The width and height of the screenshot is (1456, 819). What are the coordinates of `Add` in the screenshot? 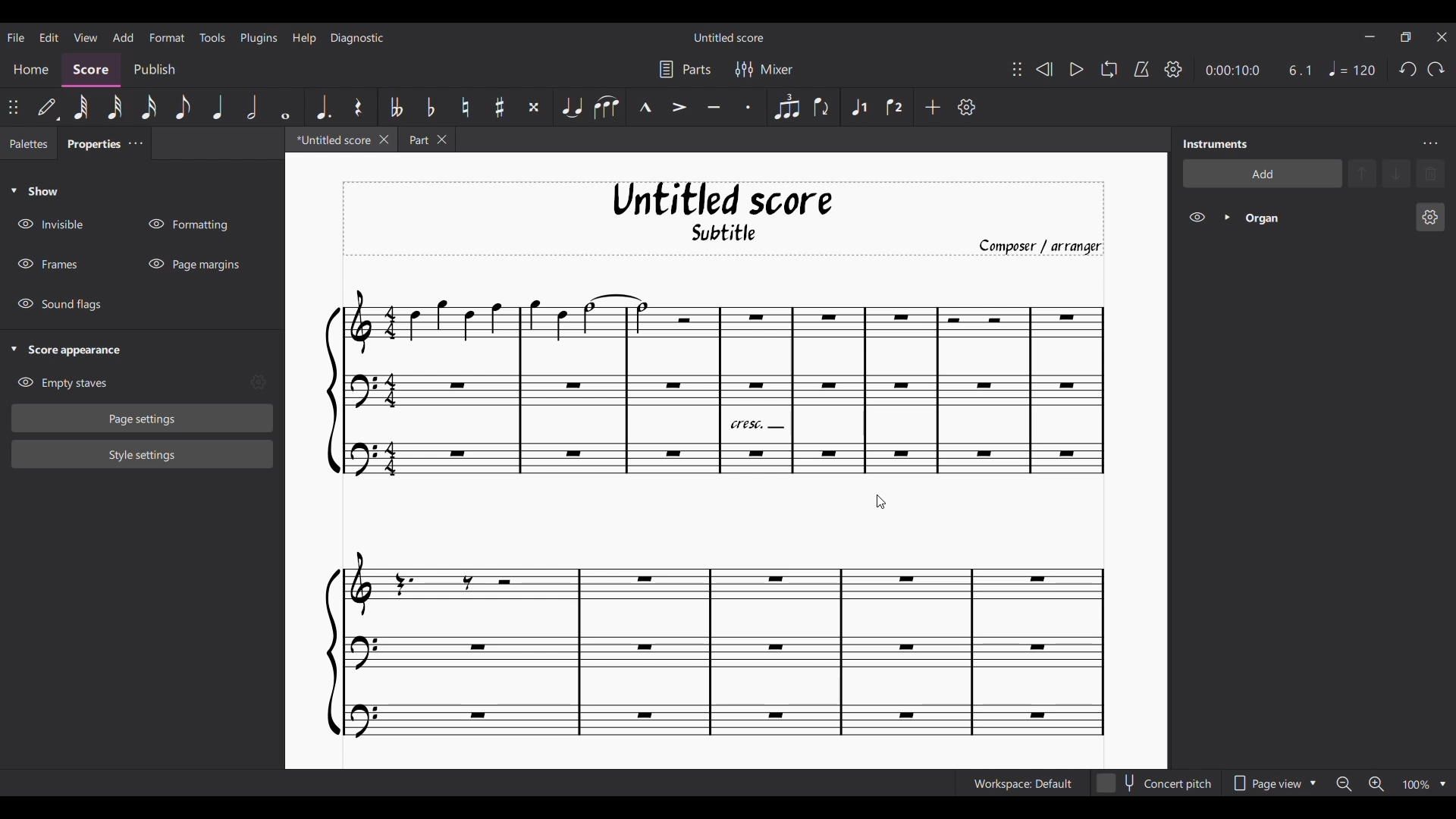 It's located at (932, 106).